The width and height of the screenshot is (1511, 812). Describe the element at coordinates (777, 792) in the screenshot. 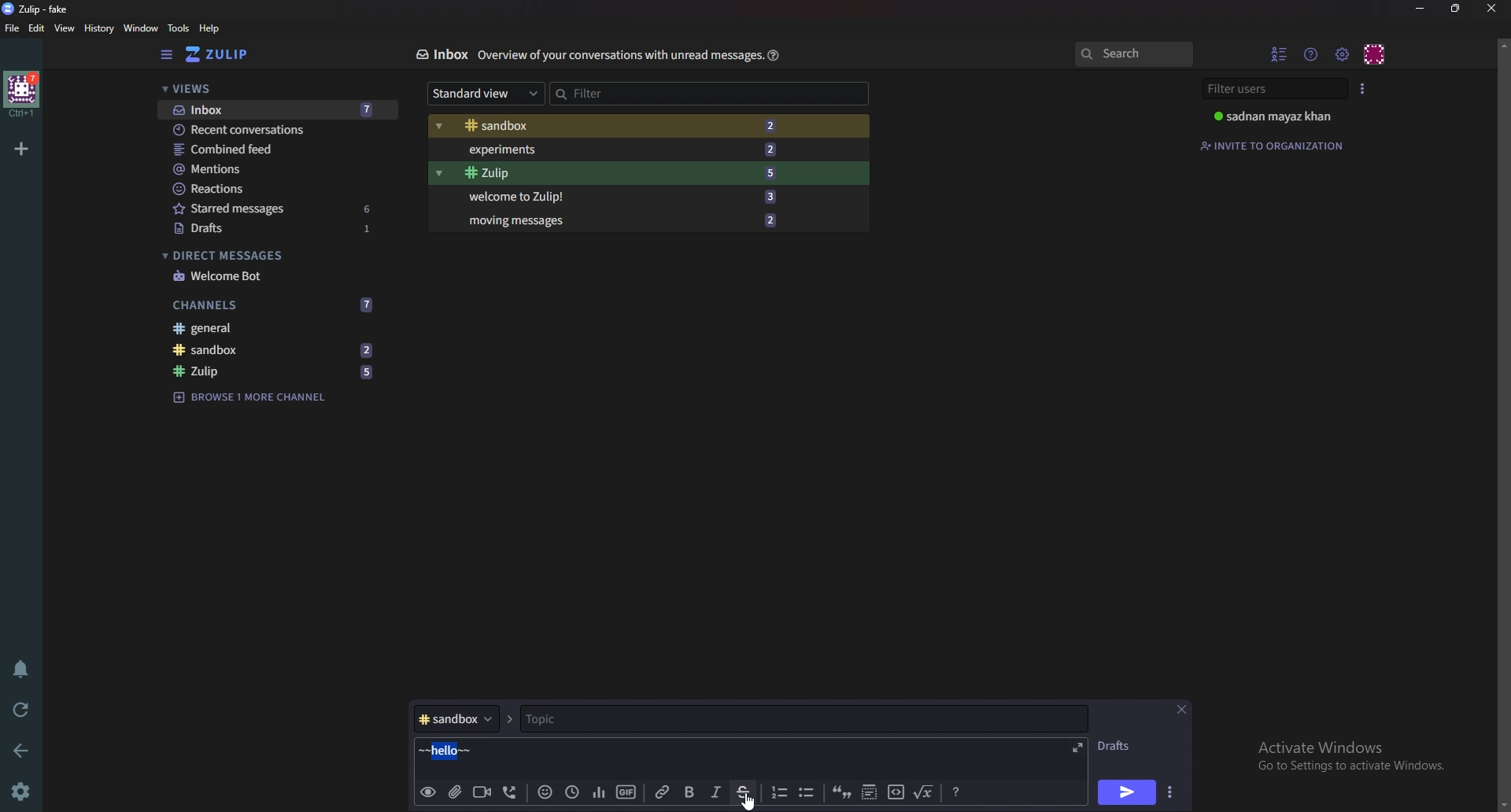

I see `Number list` at that location.